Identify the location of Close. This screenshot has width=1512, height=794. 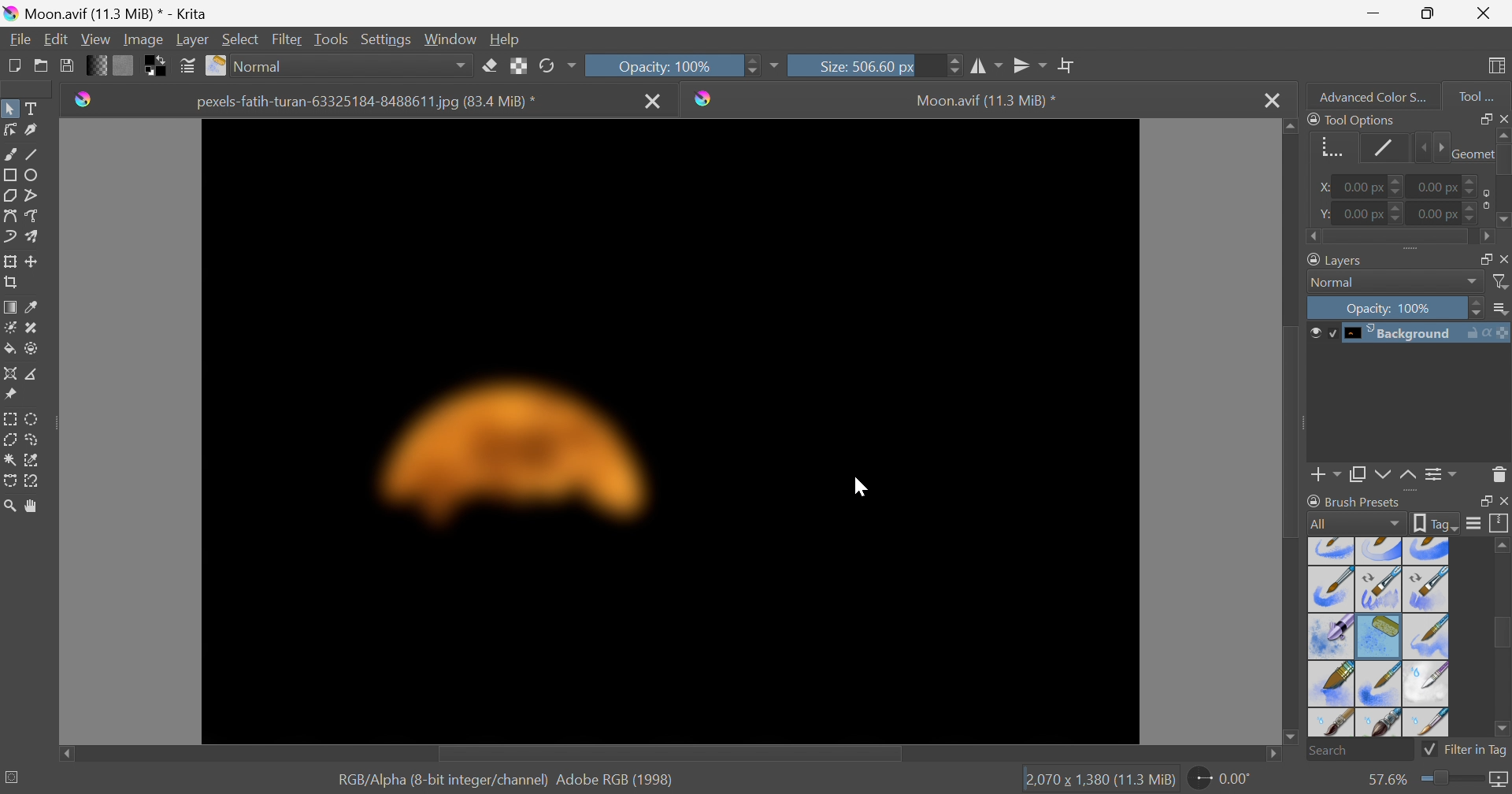
(1503, 258).